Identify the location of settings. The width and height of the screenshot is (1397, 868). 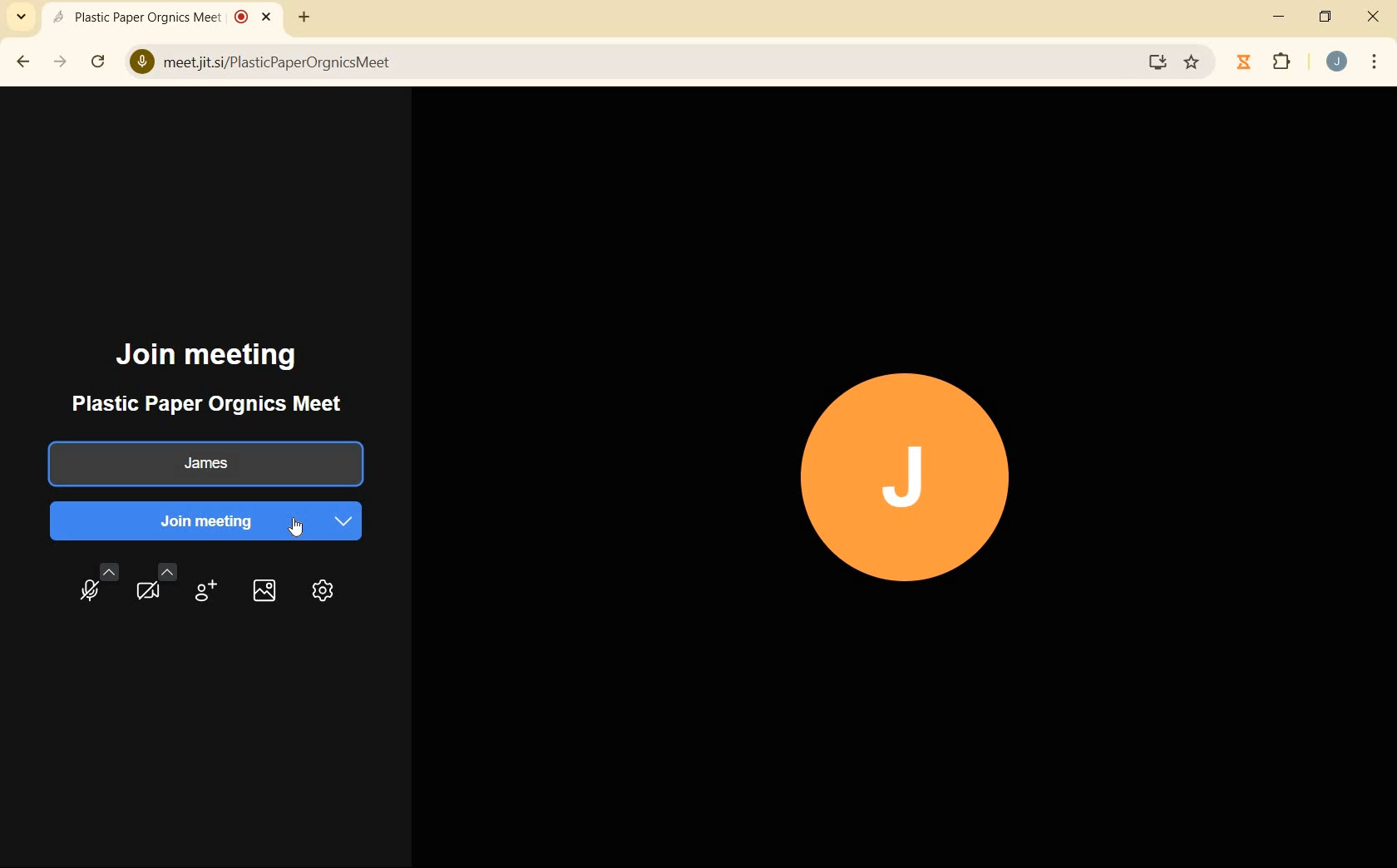
(322, 592).